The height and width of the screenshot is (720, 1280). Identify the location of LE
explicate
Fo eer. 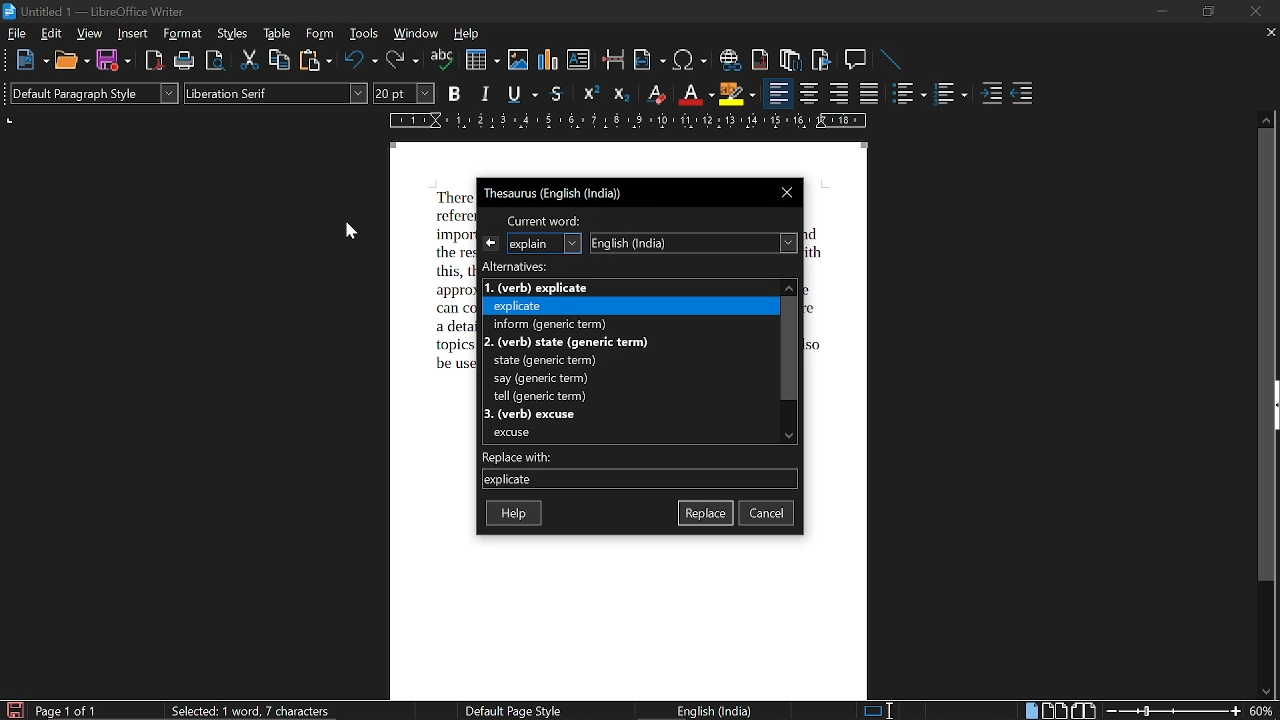
(628, 305).